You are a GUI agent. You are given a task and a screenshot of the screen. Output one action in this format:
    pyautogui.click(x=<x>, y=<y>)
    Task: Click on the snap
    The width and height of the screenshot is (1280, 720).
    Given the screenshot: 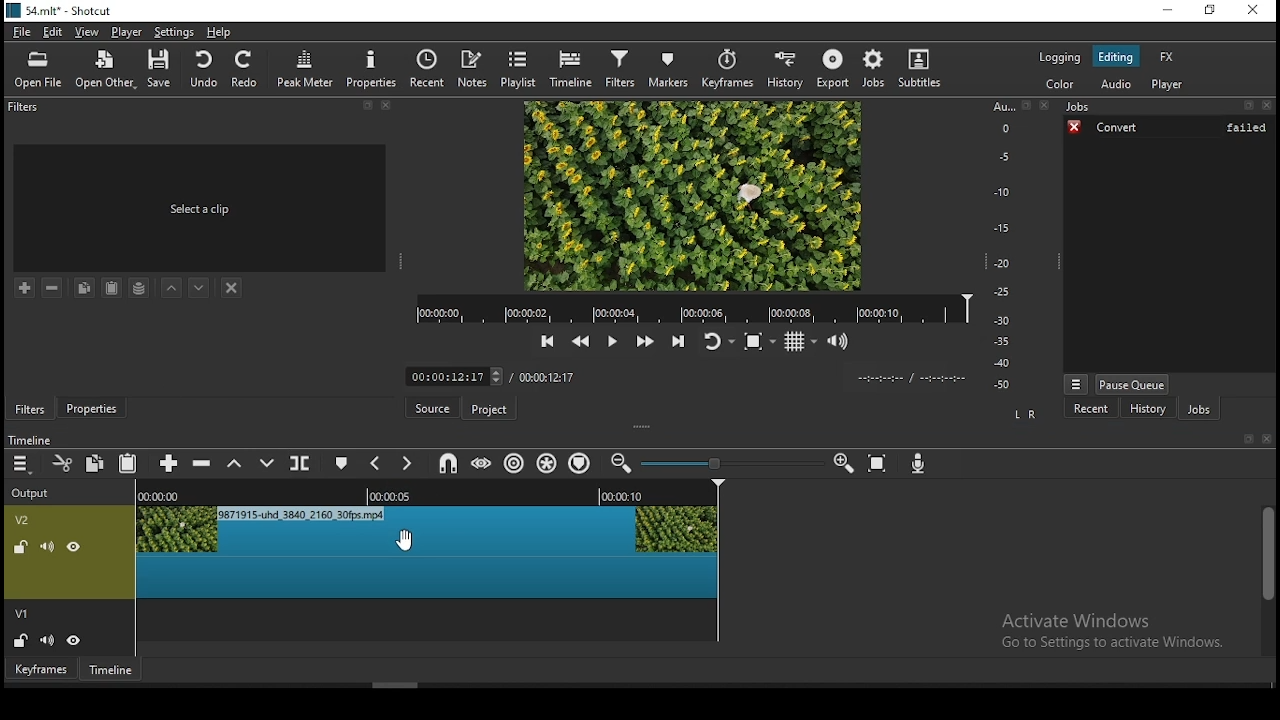 What is the action you would take?
    pyautogui.click(x=445, y=463)
    